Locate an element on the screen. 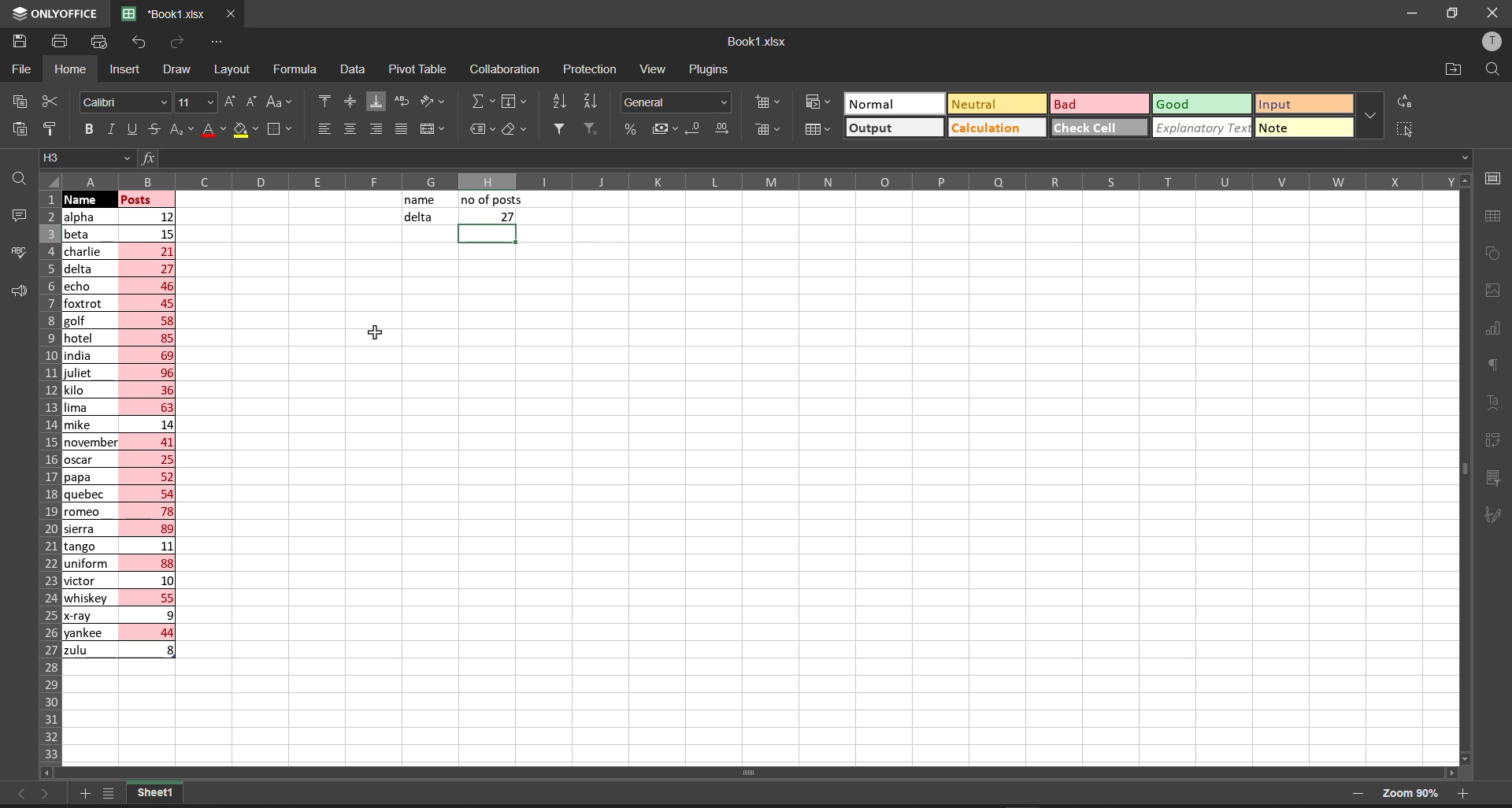 This screenshot has width=1512, height=808. percent style is located at coordinates (628, 131).